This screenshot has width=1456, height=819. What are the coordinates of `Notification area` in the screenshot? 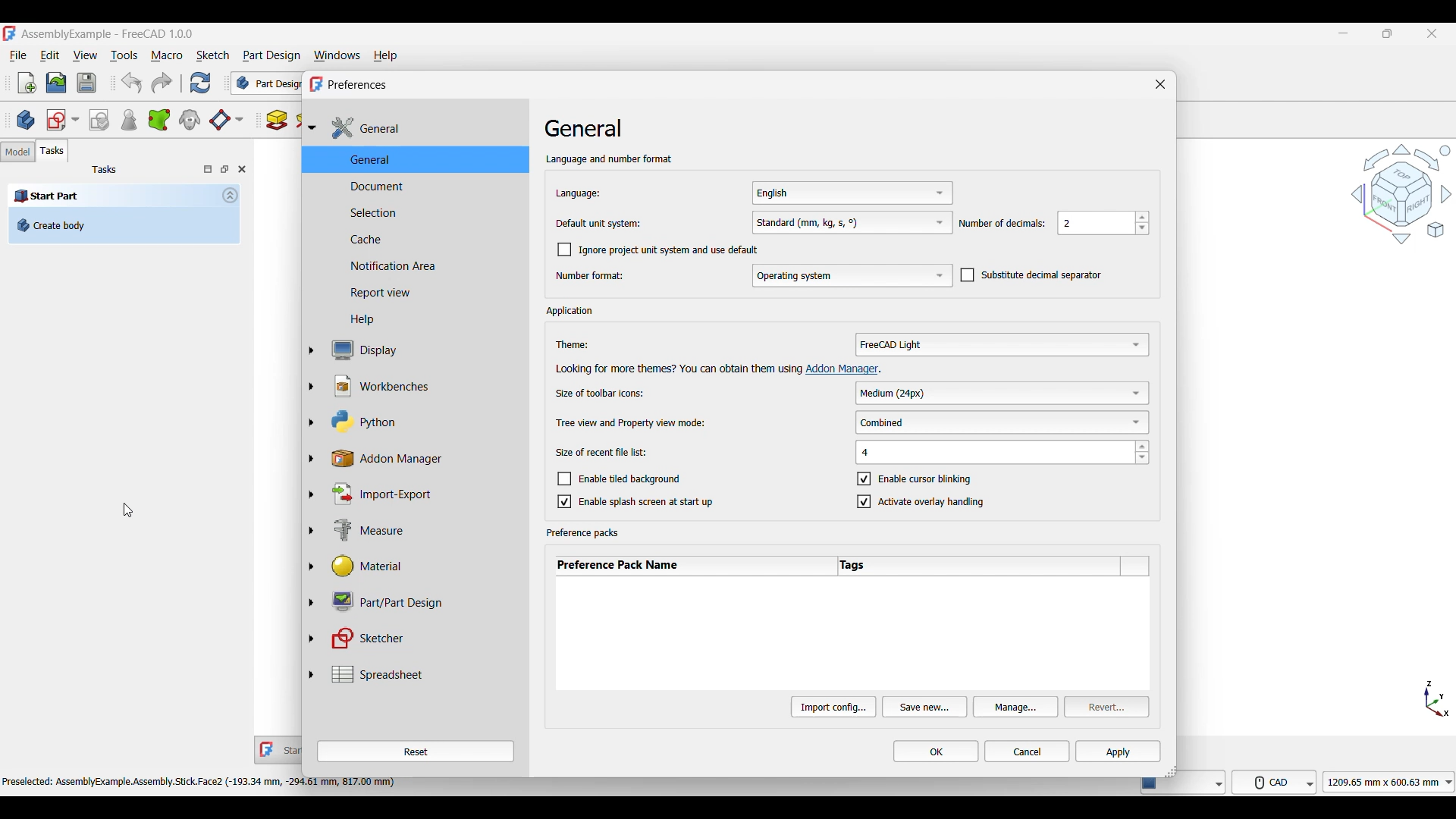 It's located at (422, 265).